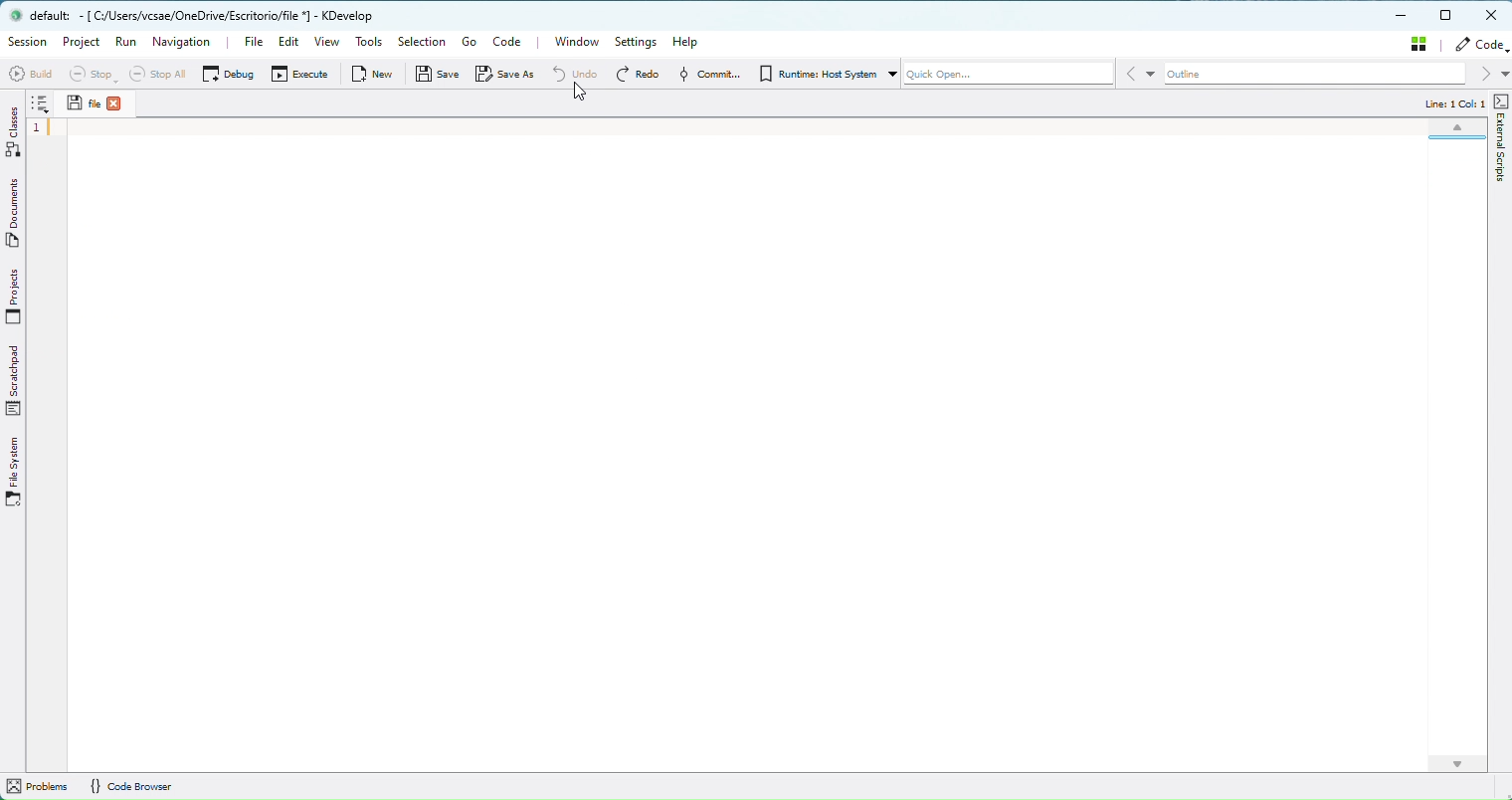  What do you see at coordinates (572, 42) in the screenshot?
I see `Window` at bounding box center [572, 42].